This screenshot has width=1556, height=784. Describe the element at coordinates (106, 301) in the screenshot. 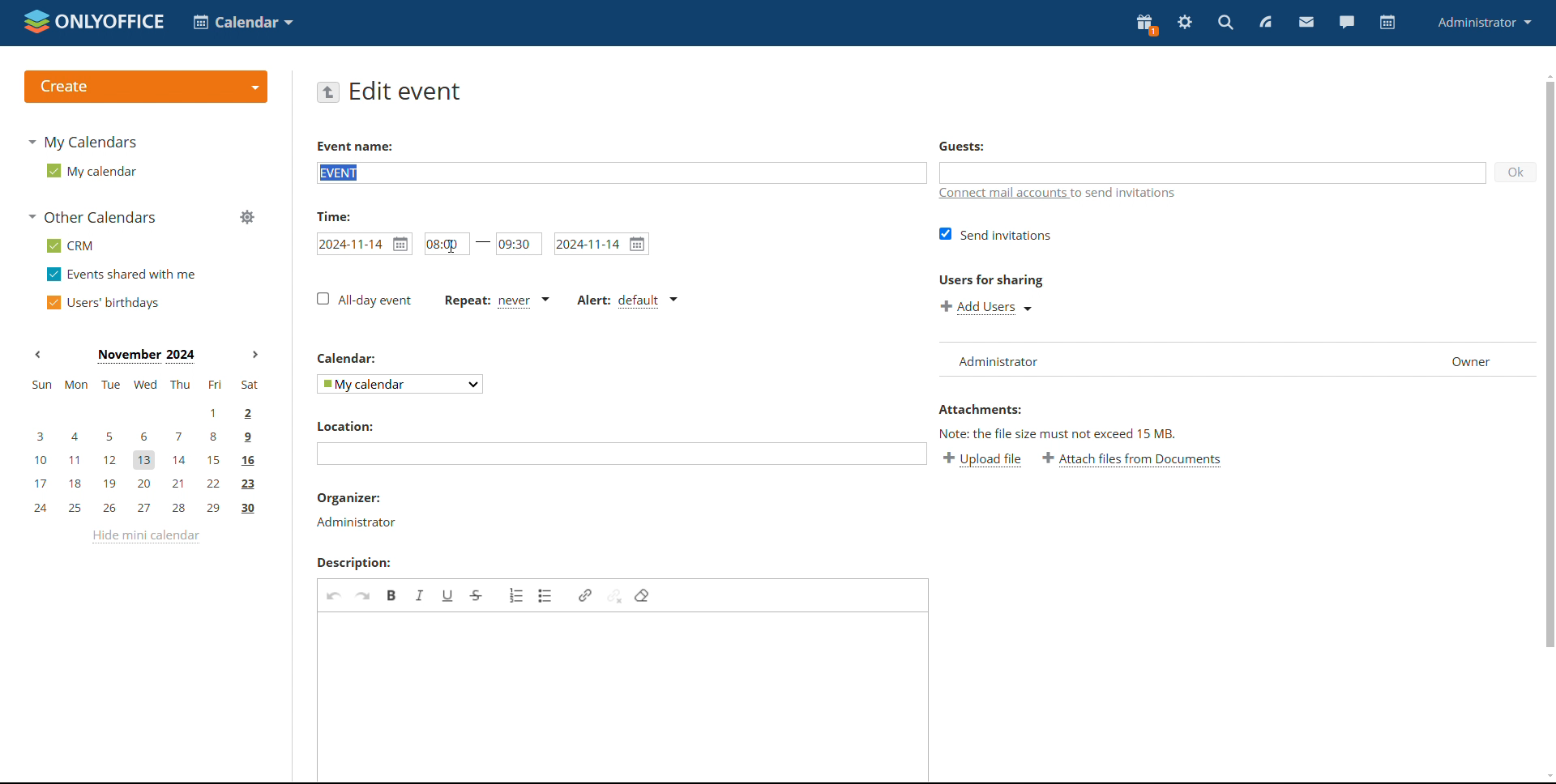

I see `users' burthdays` at that location.